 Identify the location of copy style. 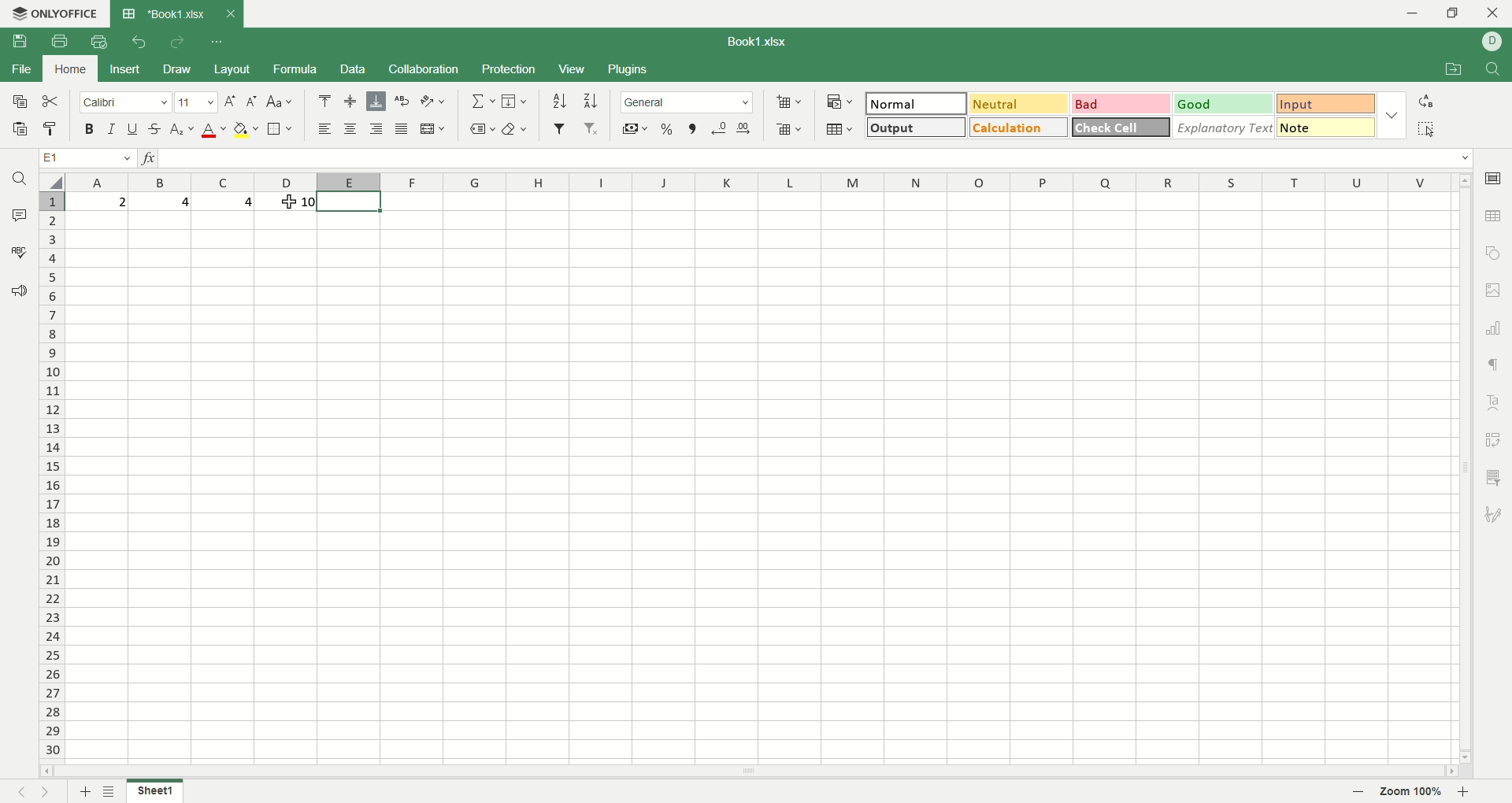
(53, 128).